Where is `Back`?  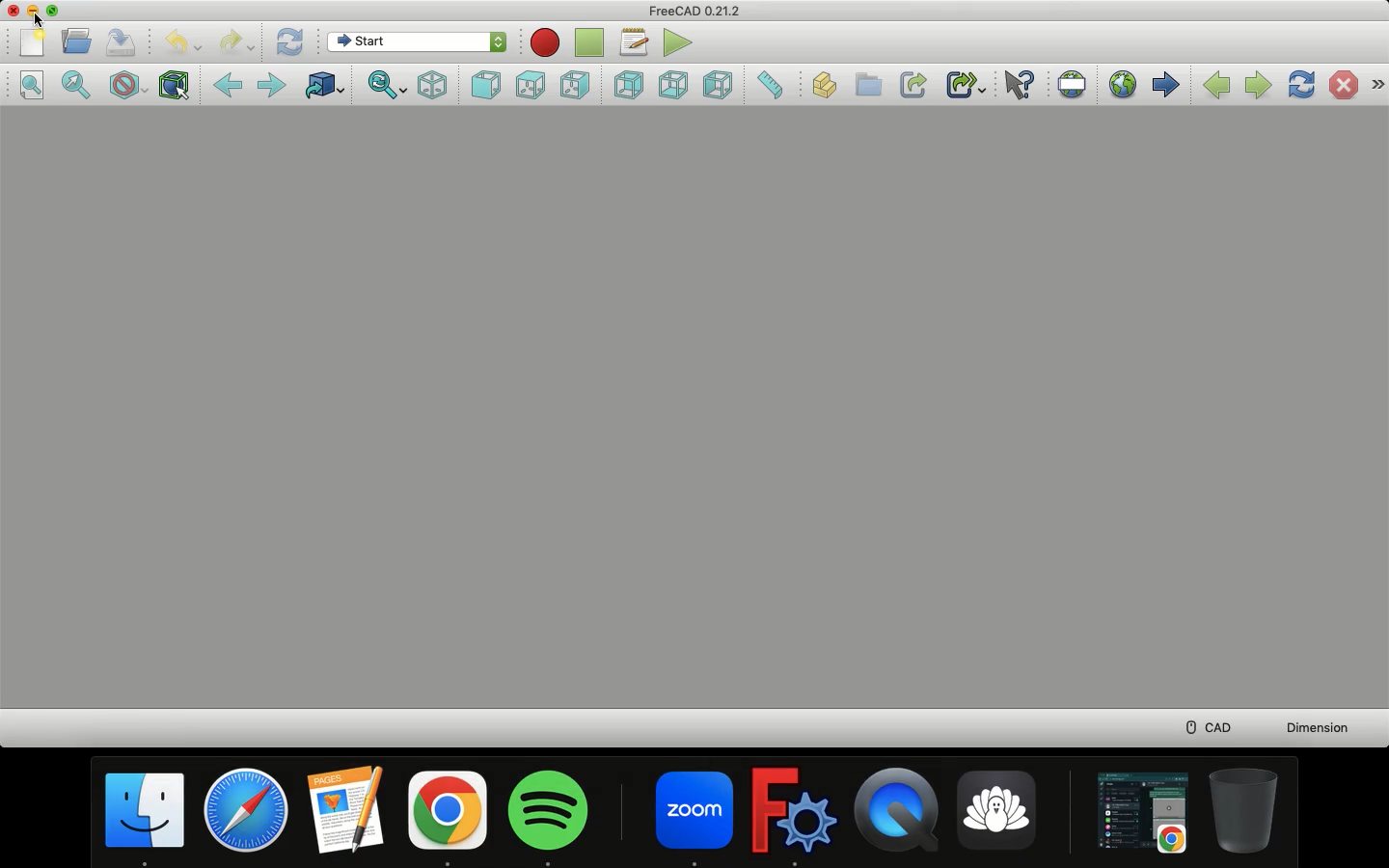 Back is located at coordinates (228, 83).